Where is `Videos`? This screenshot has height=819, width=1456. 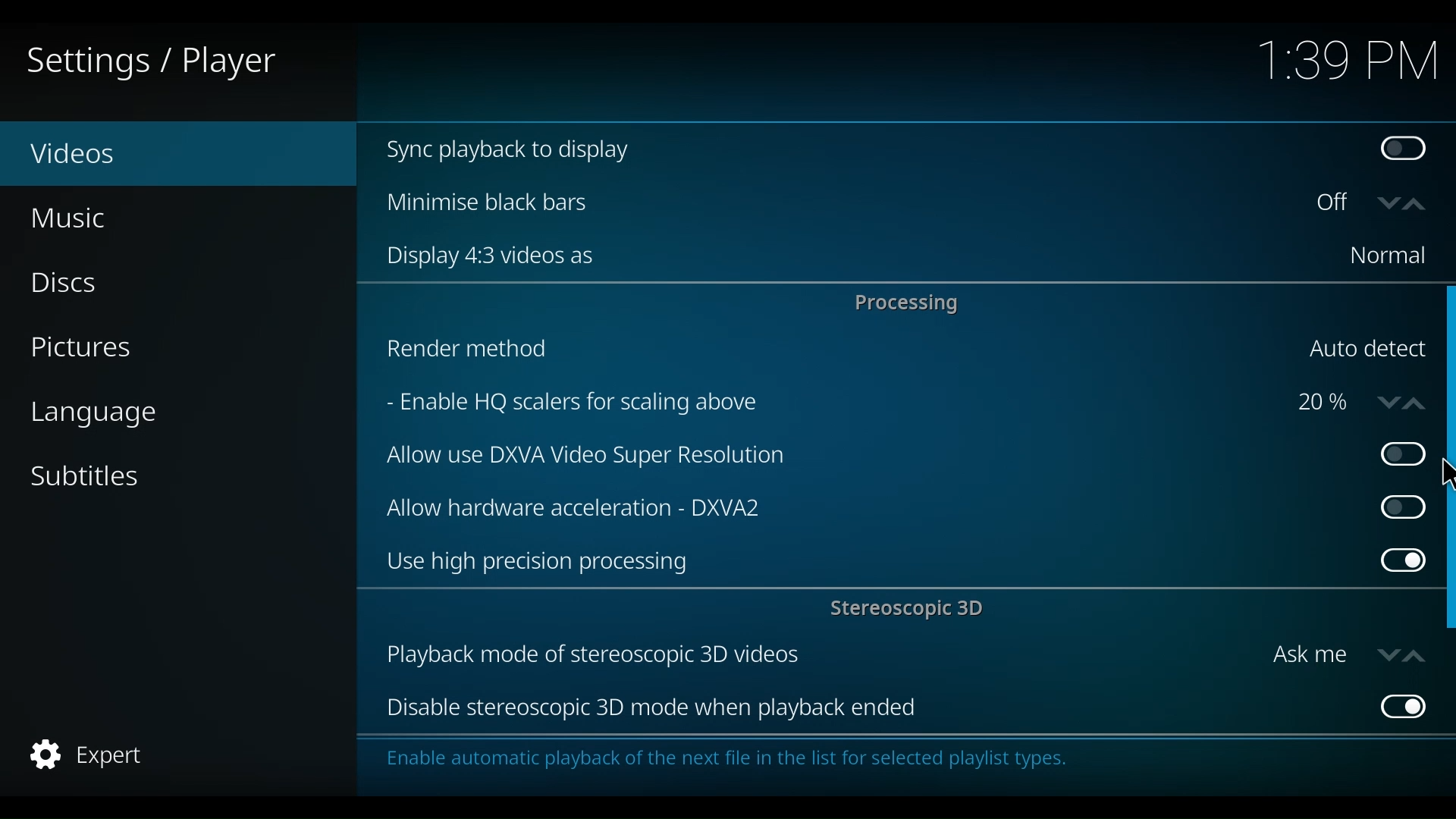
Videos is located at coordinates (106, 155).